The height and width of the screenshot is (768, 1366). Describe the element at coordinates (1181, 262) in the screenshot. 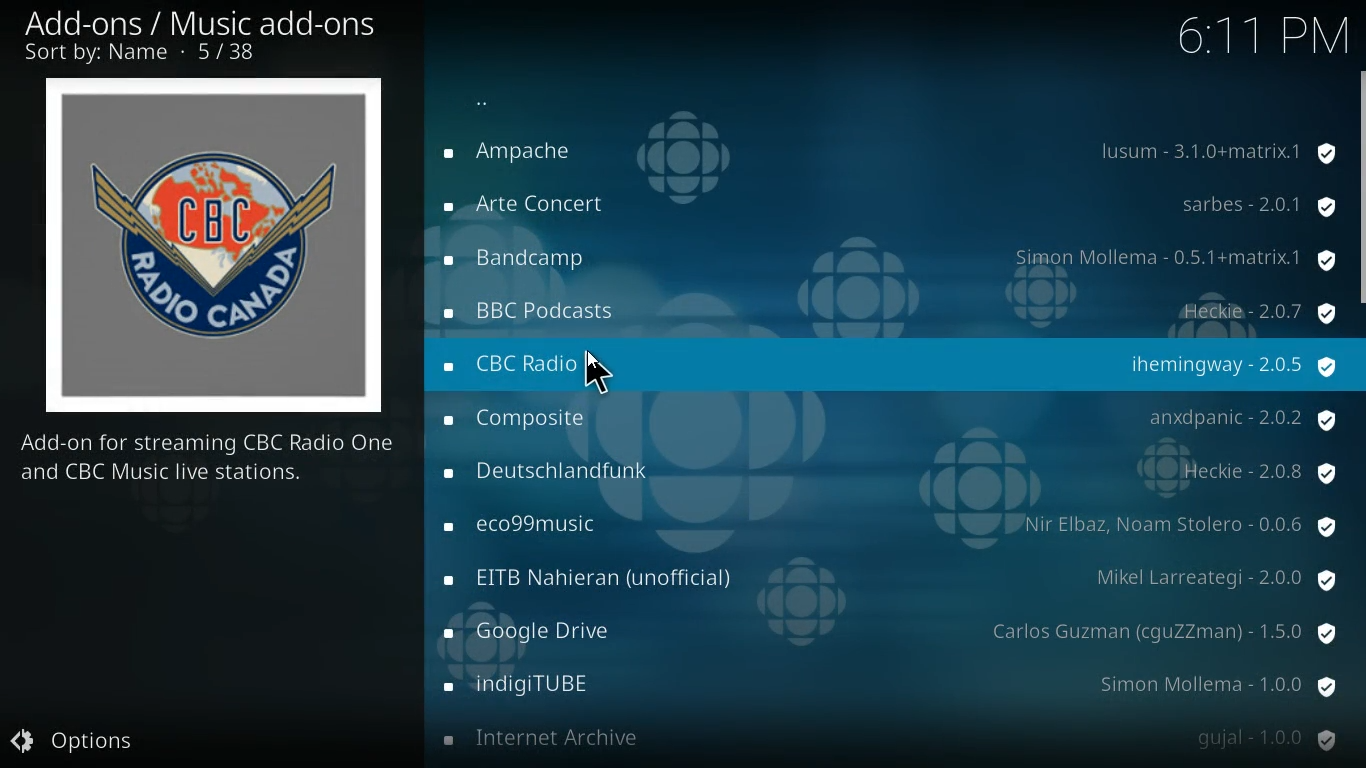

I see `protection` at that location.